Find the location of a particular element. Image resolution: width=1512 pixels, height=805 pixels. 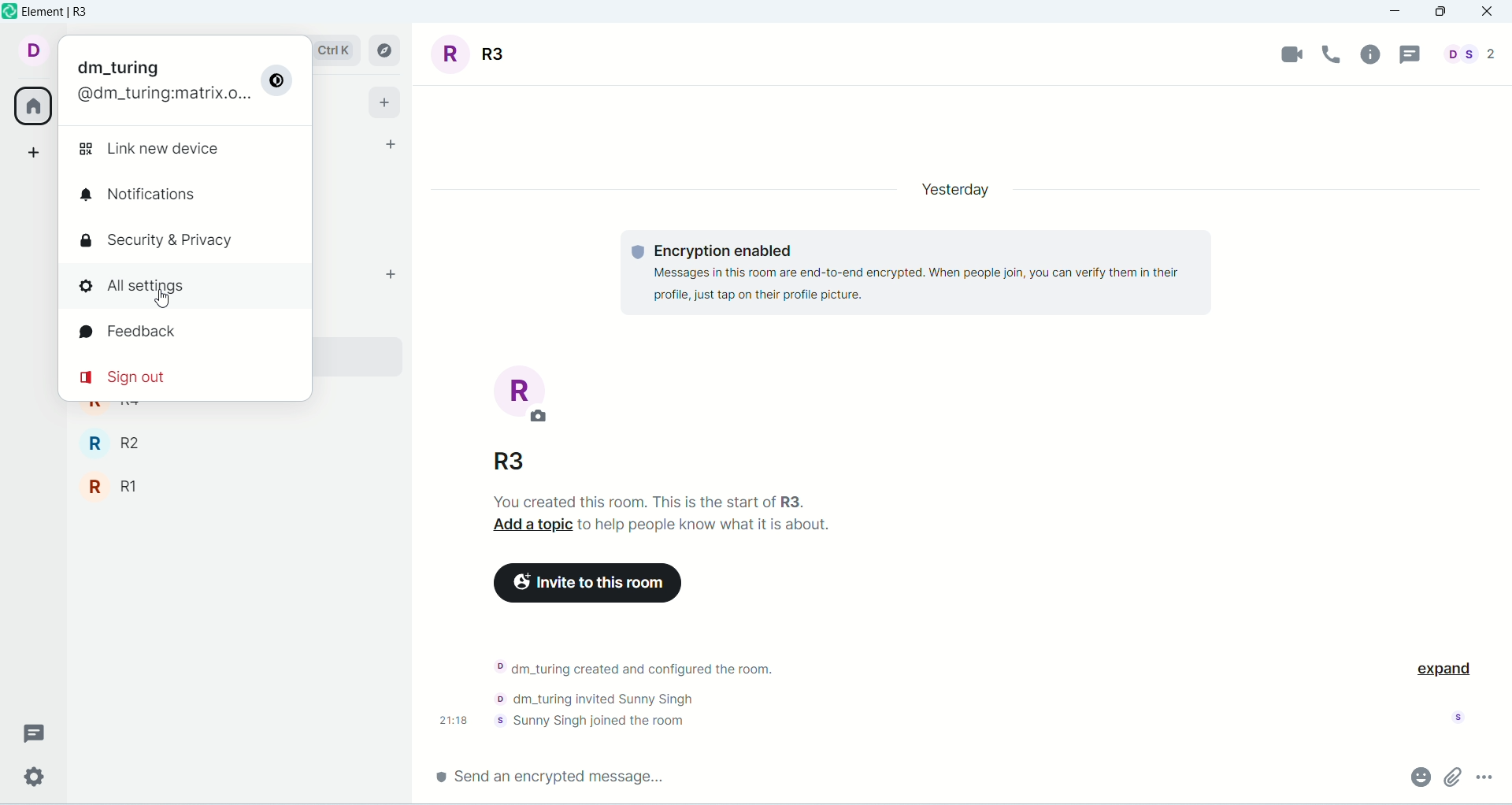

maximize is located at coordinates (1440, 13).